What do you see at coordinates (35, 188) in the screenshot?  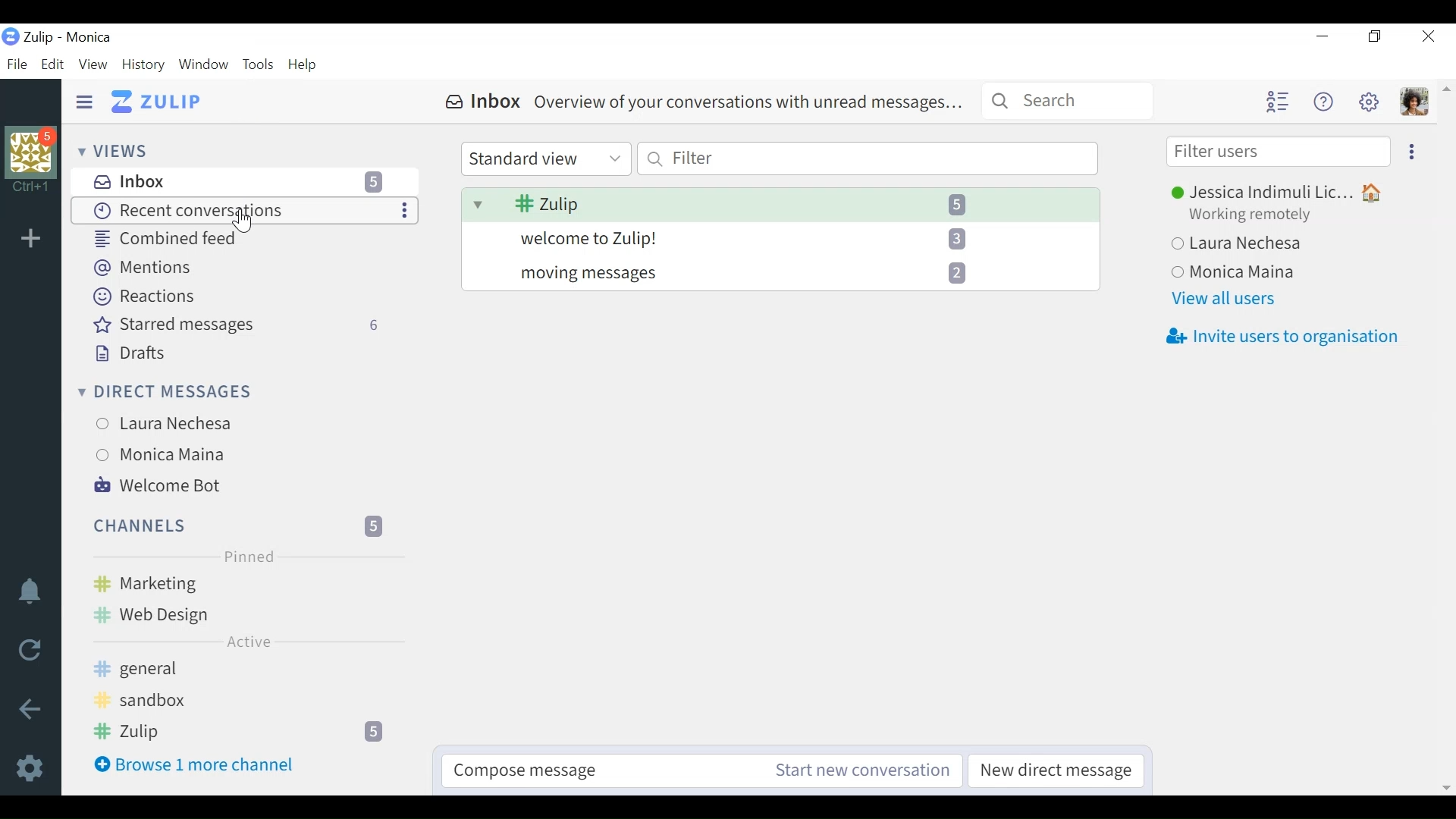 I see `shortcut information` at bounding box center [35, 188].